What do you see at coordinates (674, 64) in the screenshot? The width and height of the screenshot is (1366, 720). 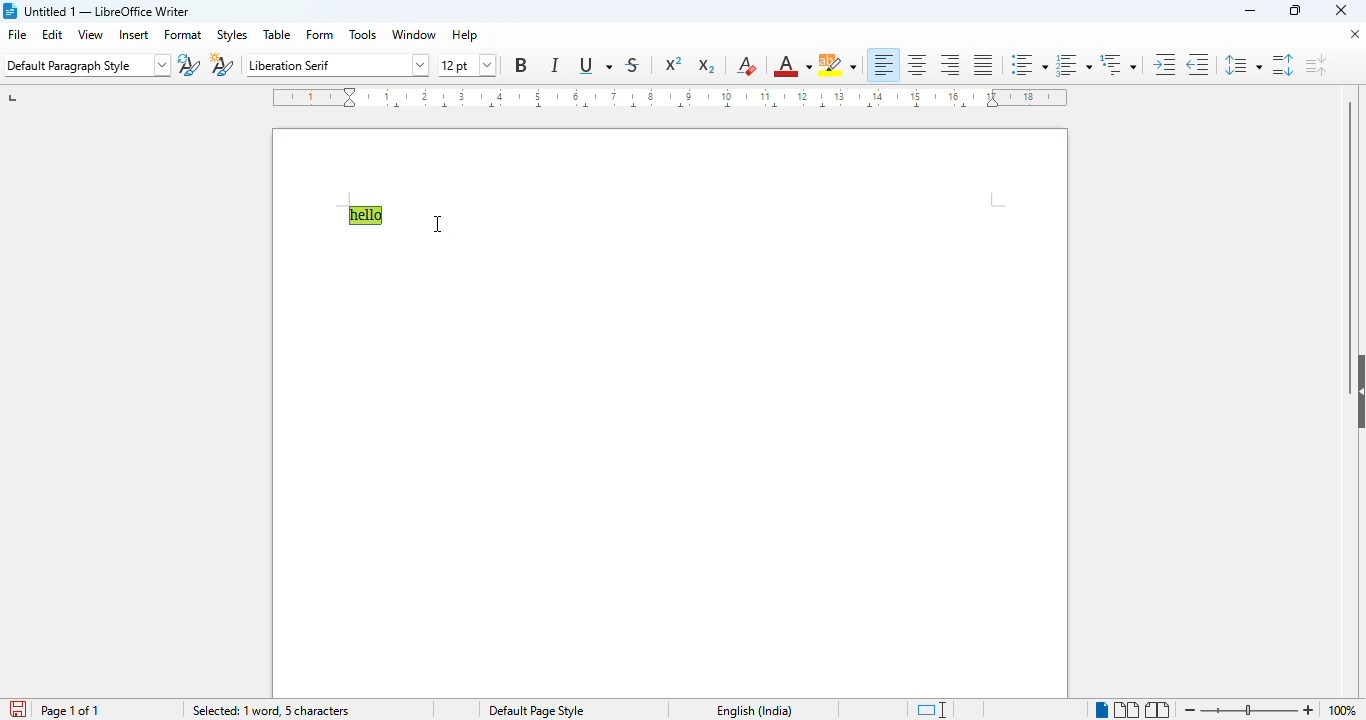 I see `superscript` at bounding box center [674, 64].